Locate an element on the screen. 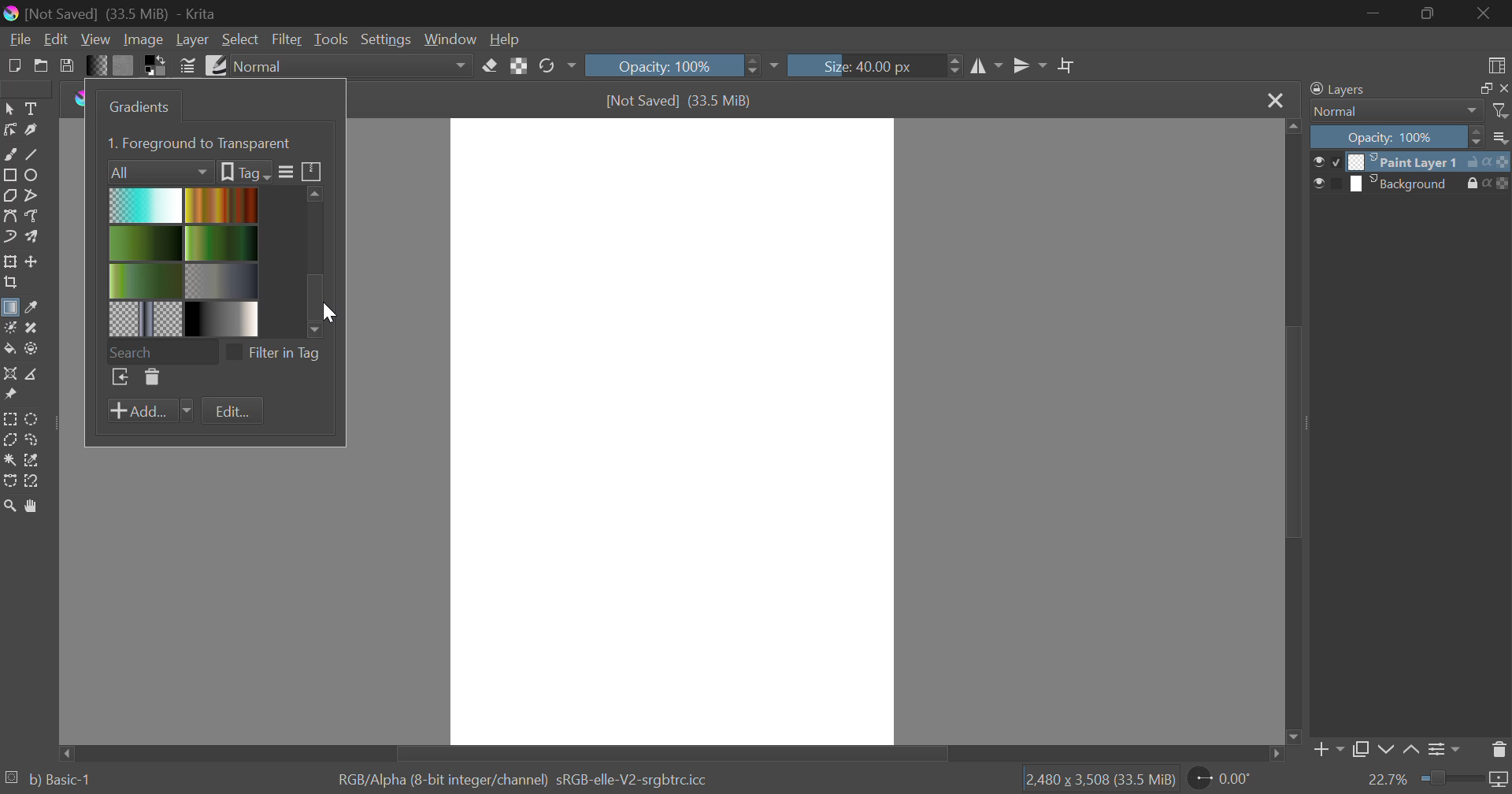 The width and height of the screenshot is (1512, 794). Colorize Mask Tool is located at coordinates (9, 328).